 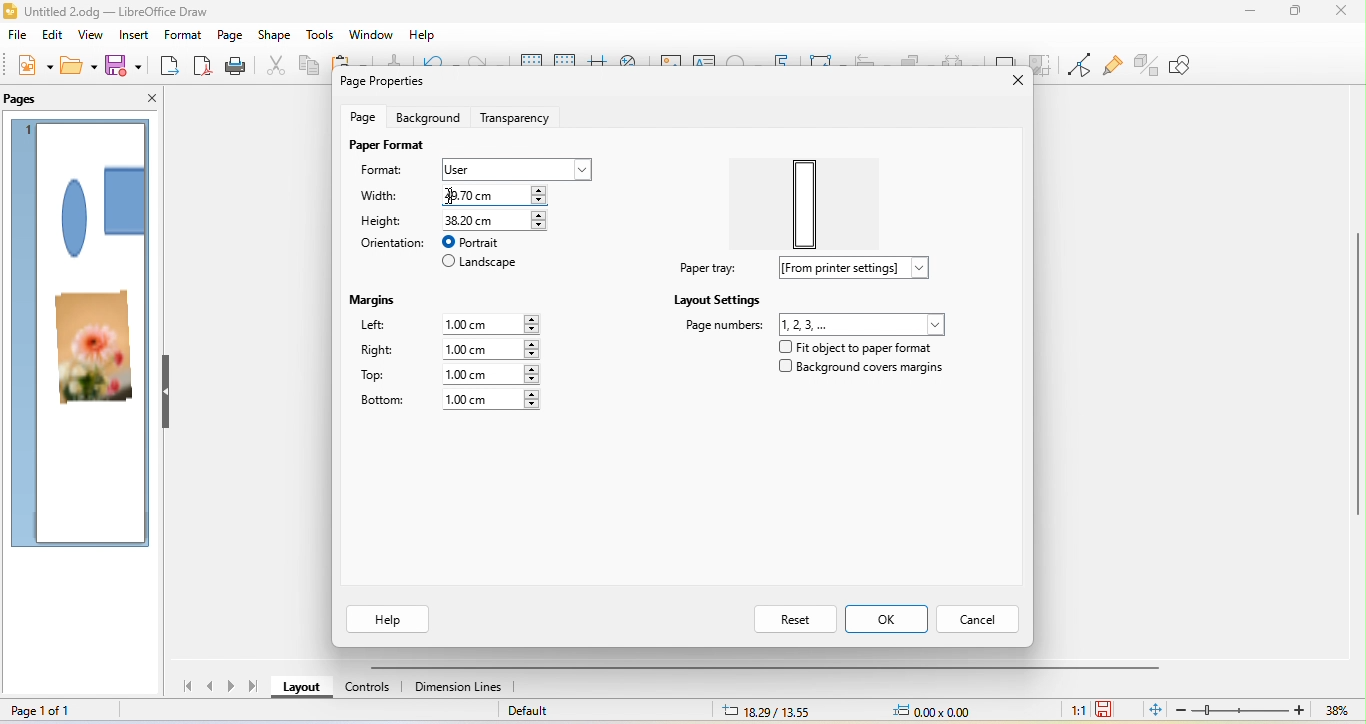 I want to click on 0.00x0.00, so click(x=946, y=712).